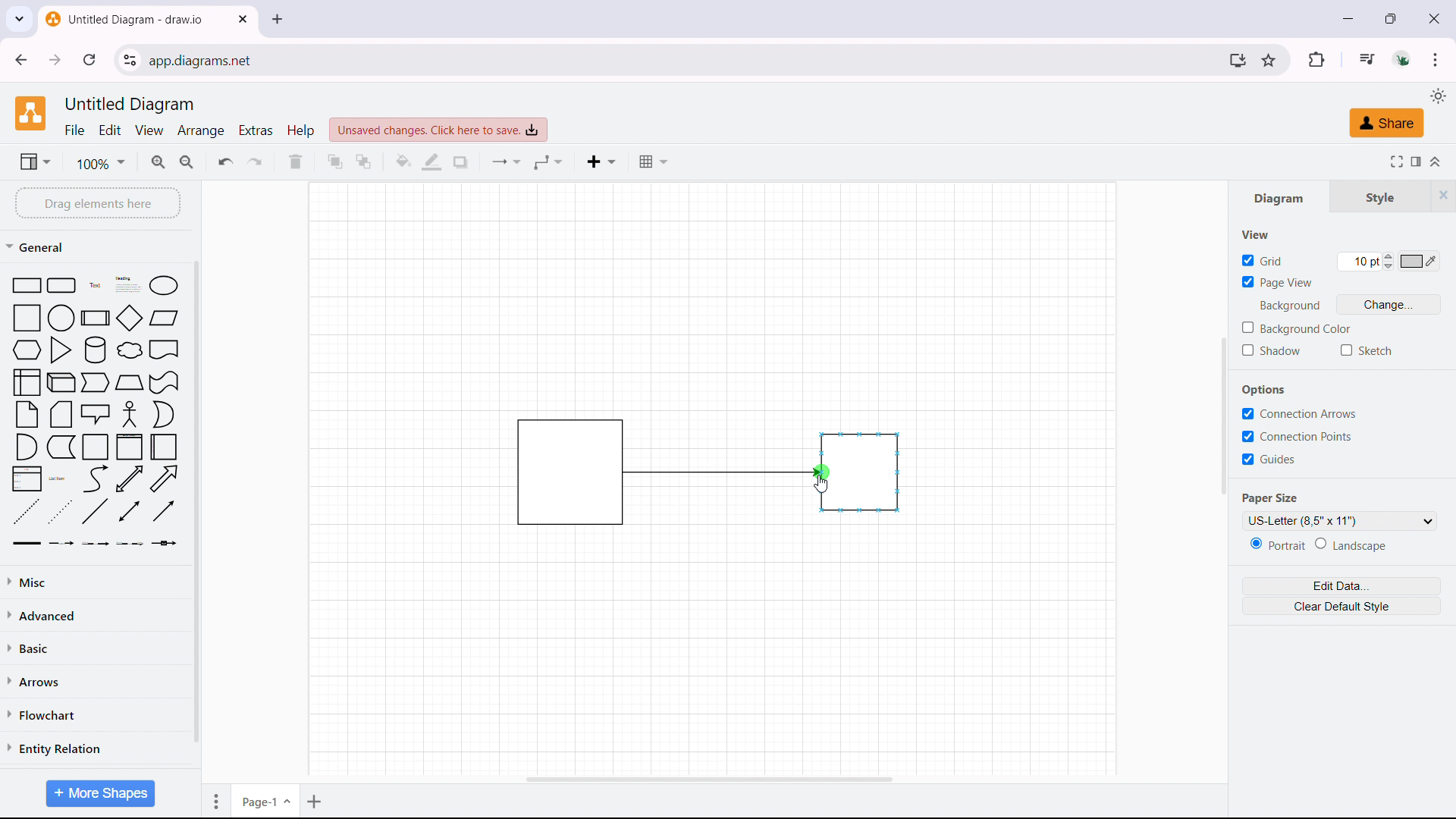 Image resolution: width=1456 pixels, height=819 pixels. Describe the element at coordinates (403, 162) in the screenshot. I see `fill color` at that location.